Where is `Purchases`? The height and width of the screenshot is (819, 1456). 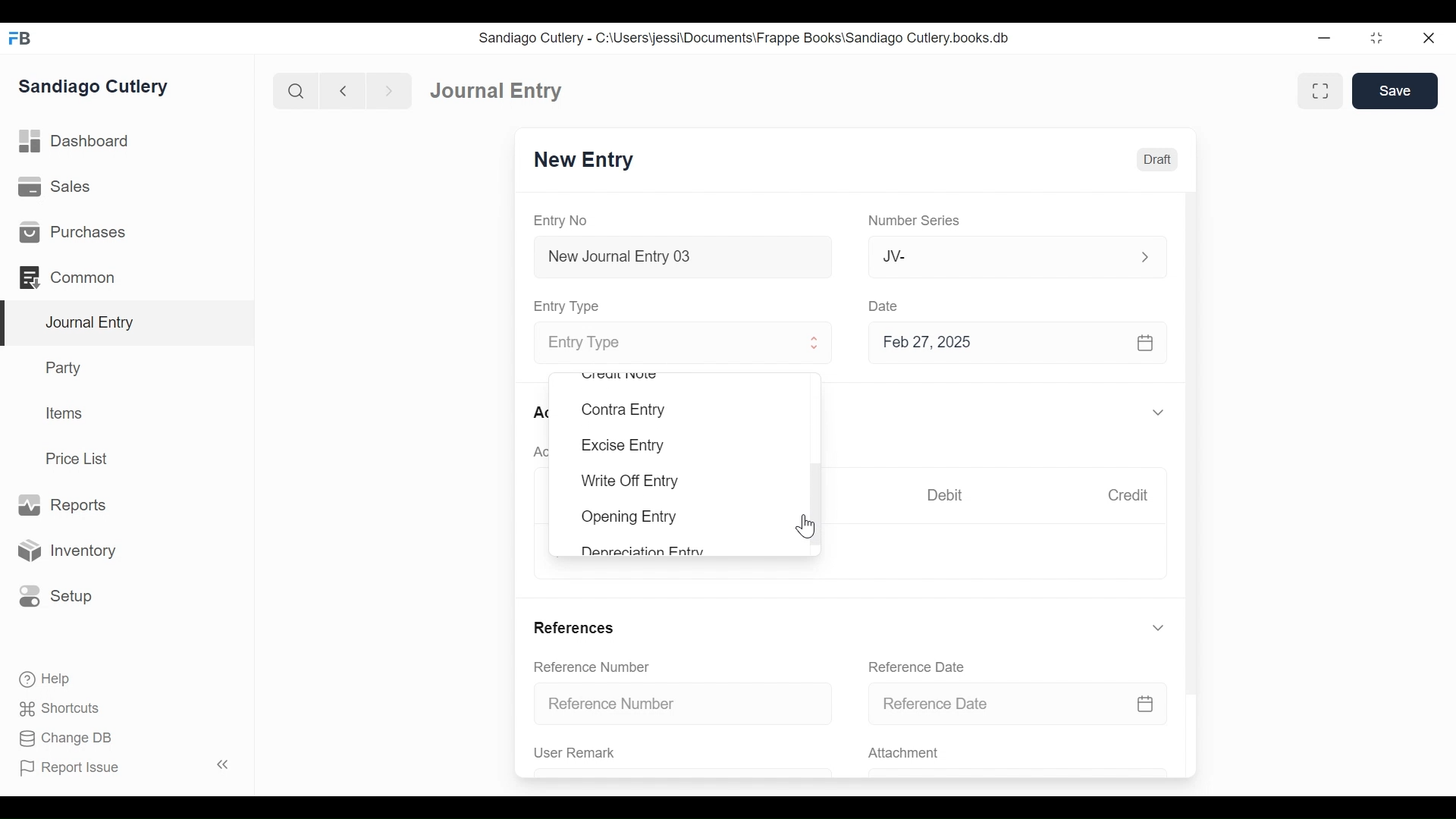
Purchases is located at coordinates (75, 232).